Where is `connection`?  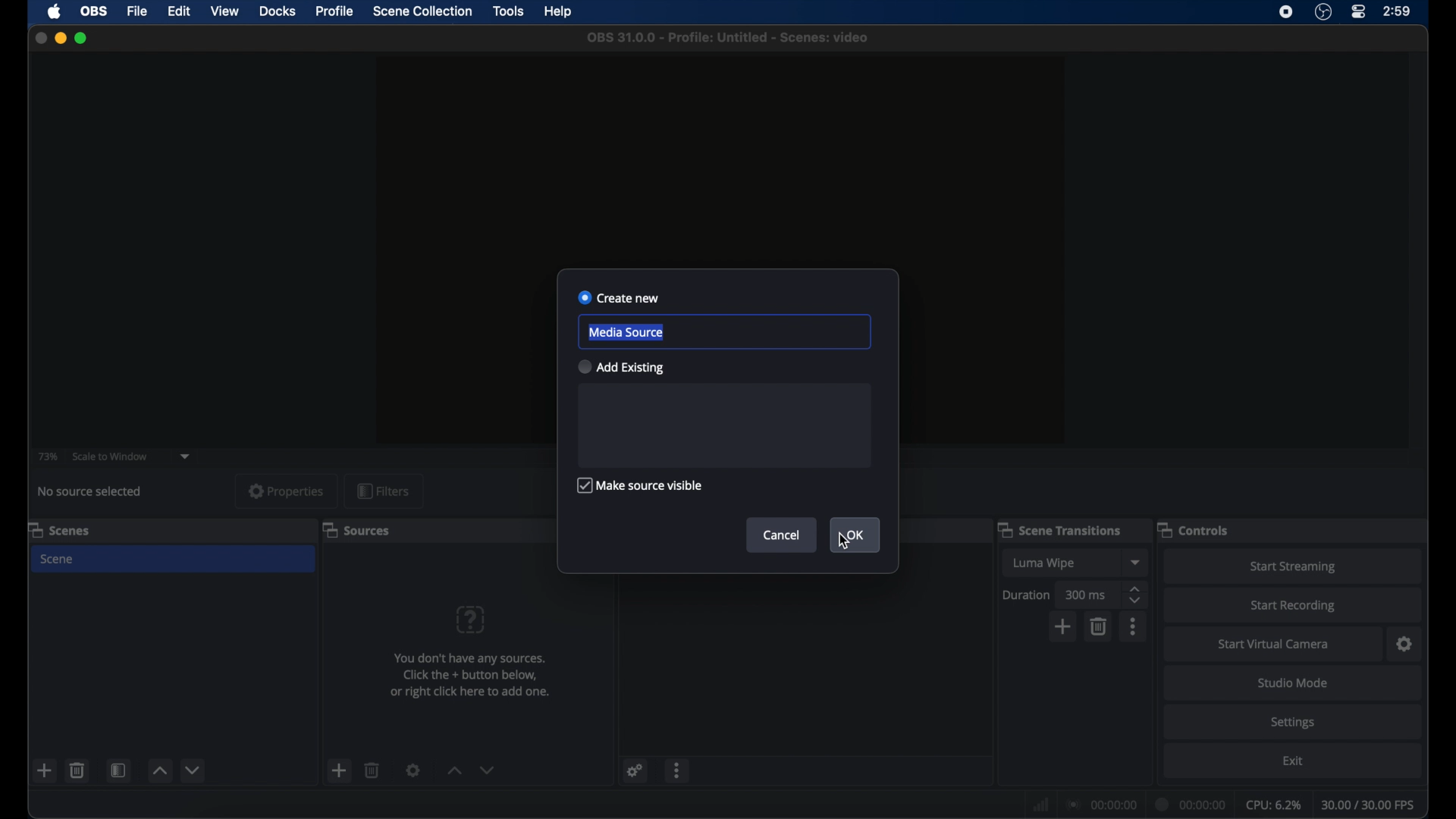 connection is located at coordinates (1100, 805).